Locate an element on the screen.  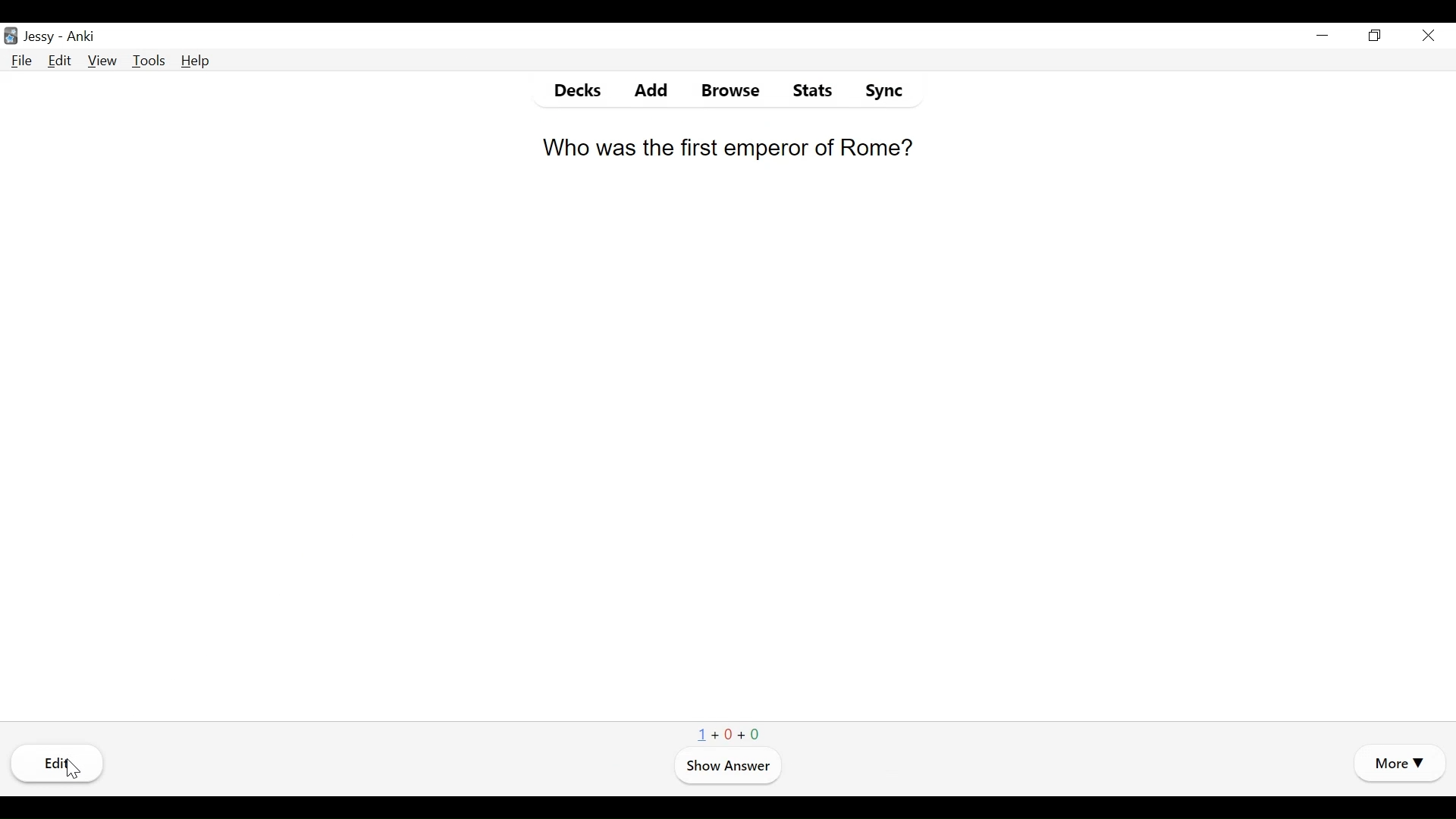
Decks is located at coordinates (571, 89).